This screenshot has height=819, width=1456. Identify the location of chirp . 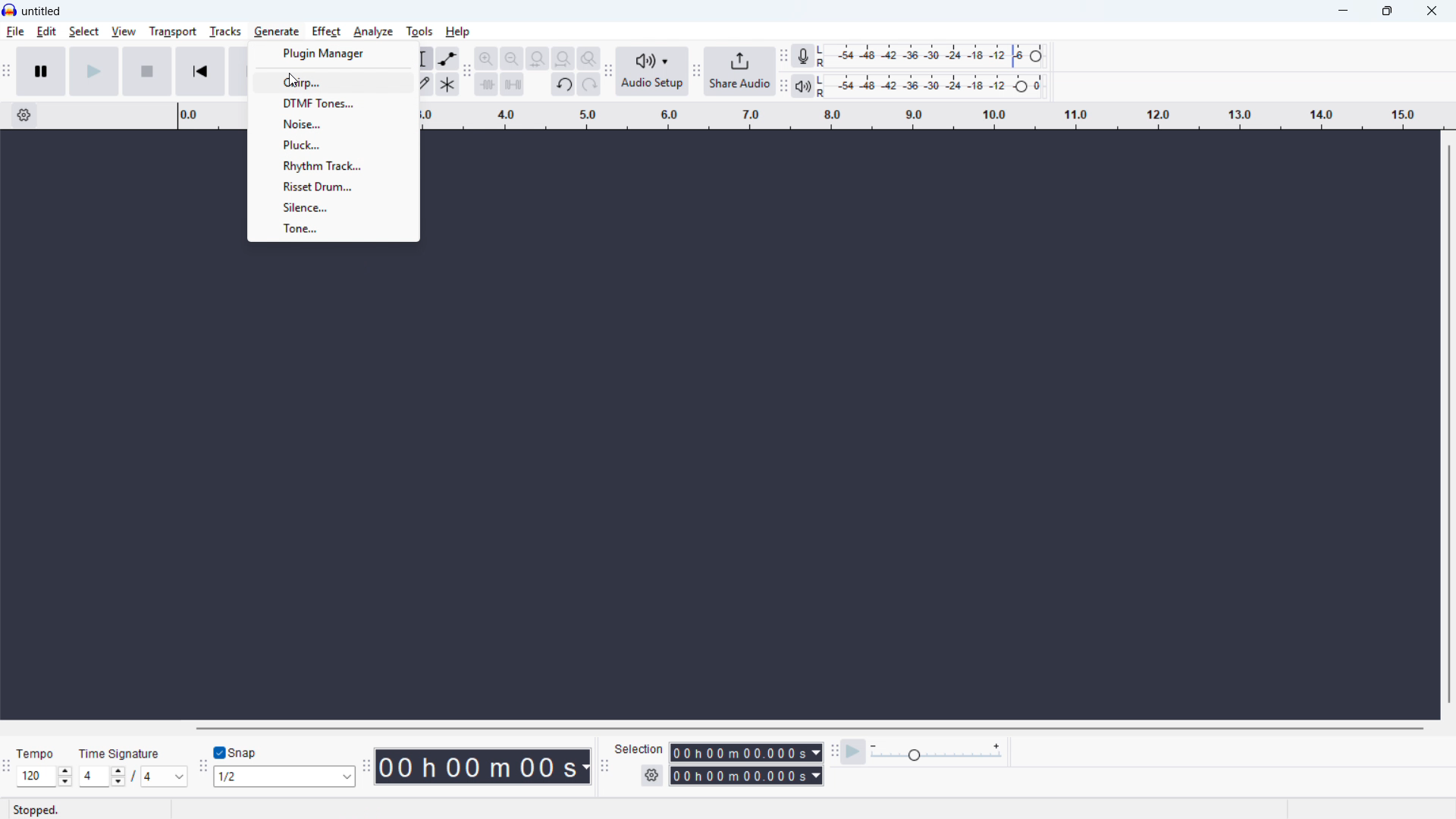
(334, 81).